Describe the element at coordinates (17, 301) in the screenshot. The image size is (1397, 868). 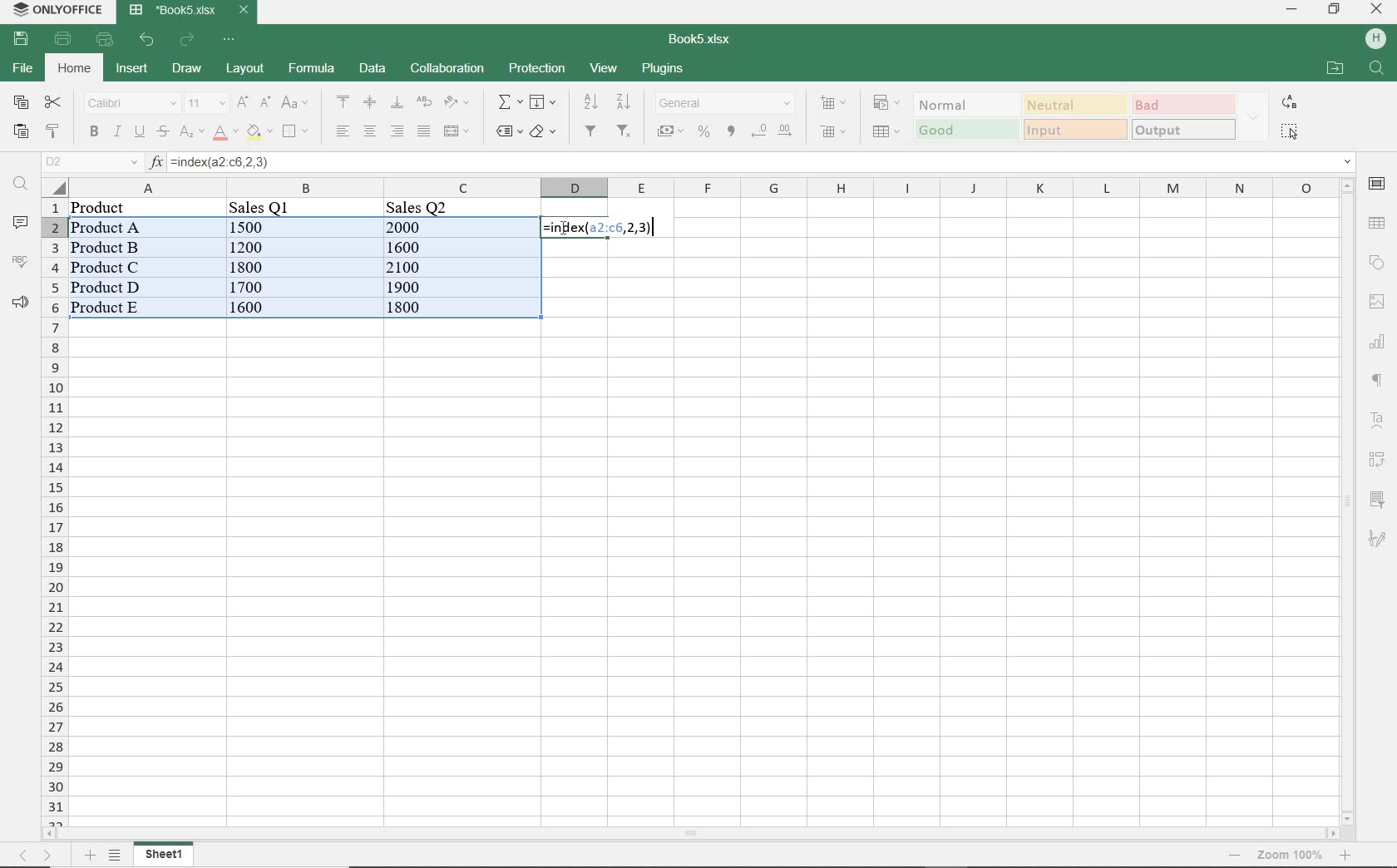
I see `support & feedback` at that location.